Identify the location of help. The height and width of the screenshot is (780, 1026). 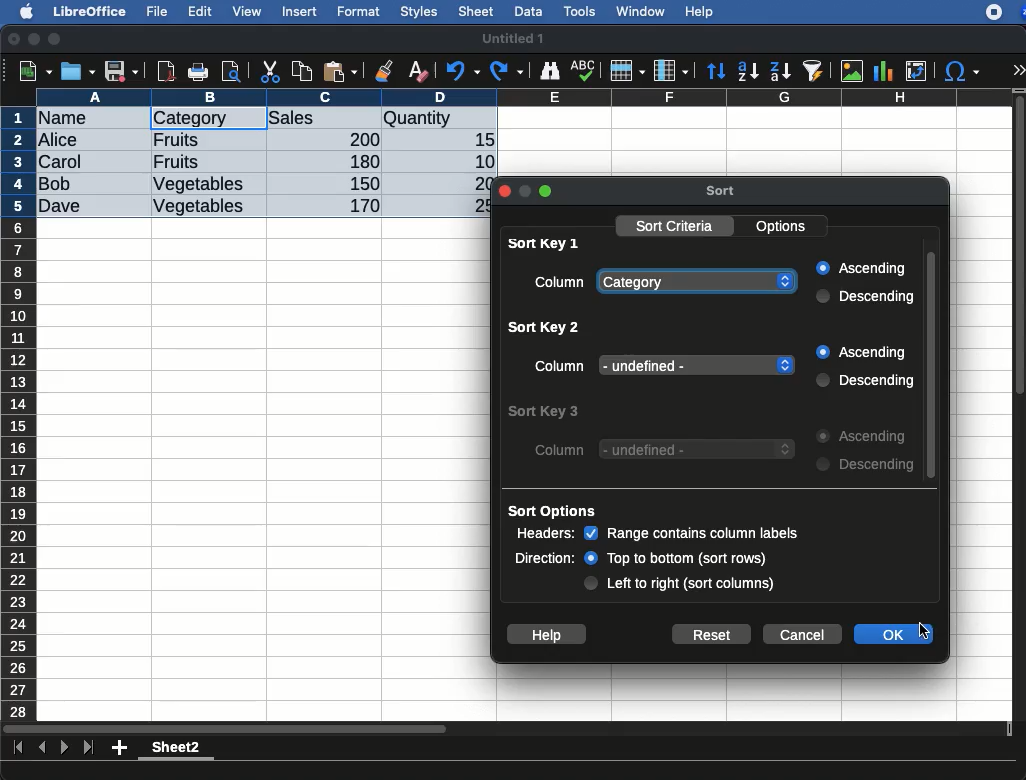
(545, 634).